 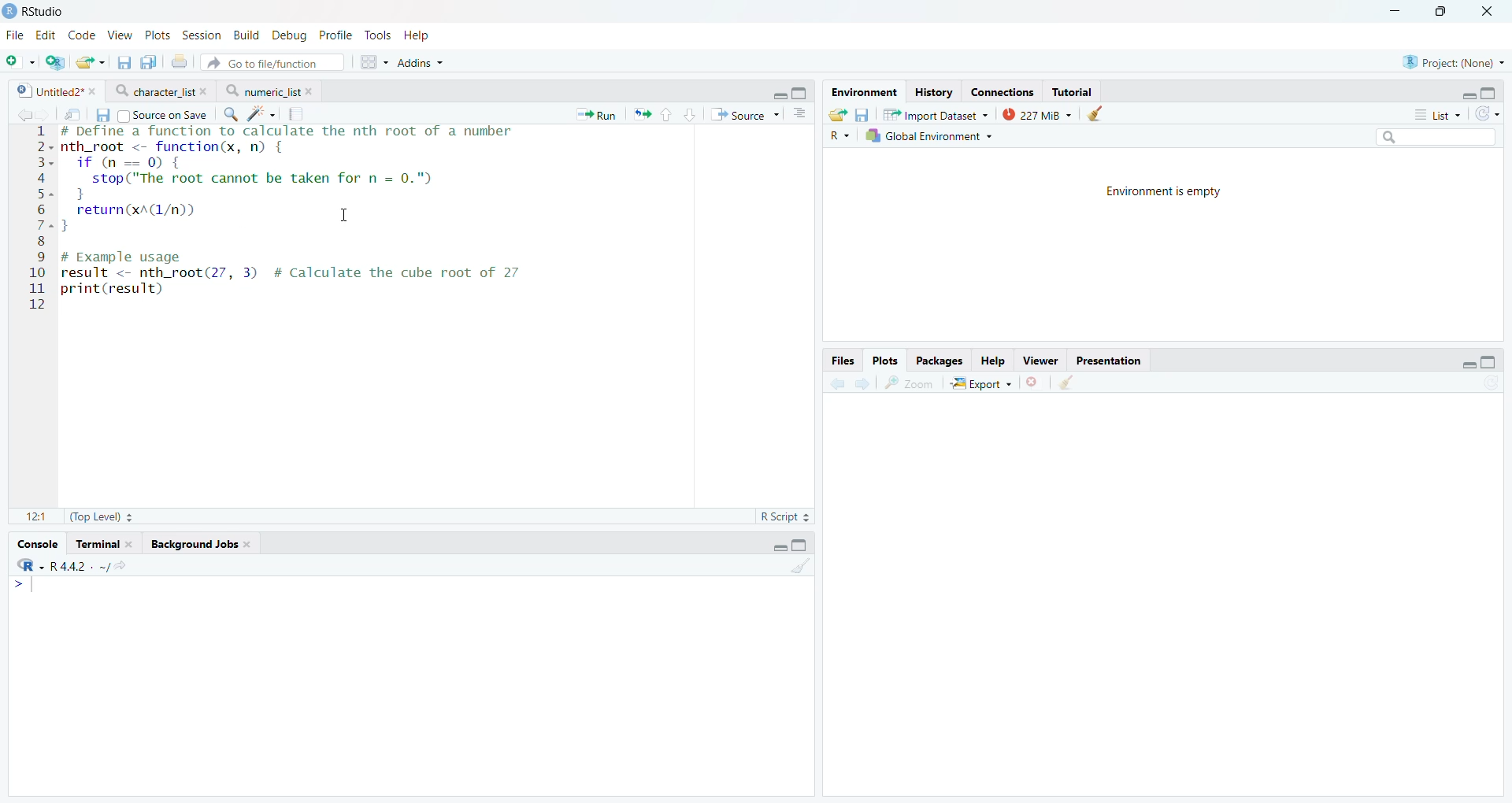 What do you see at coordinates (1163, 194) in the screenshot?
I see `Environment is empty` at bounding box center [1163, 194].